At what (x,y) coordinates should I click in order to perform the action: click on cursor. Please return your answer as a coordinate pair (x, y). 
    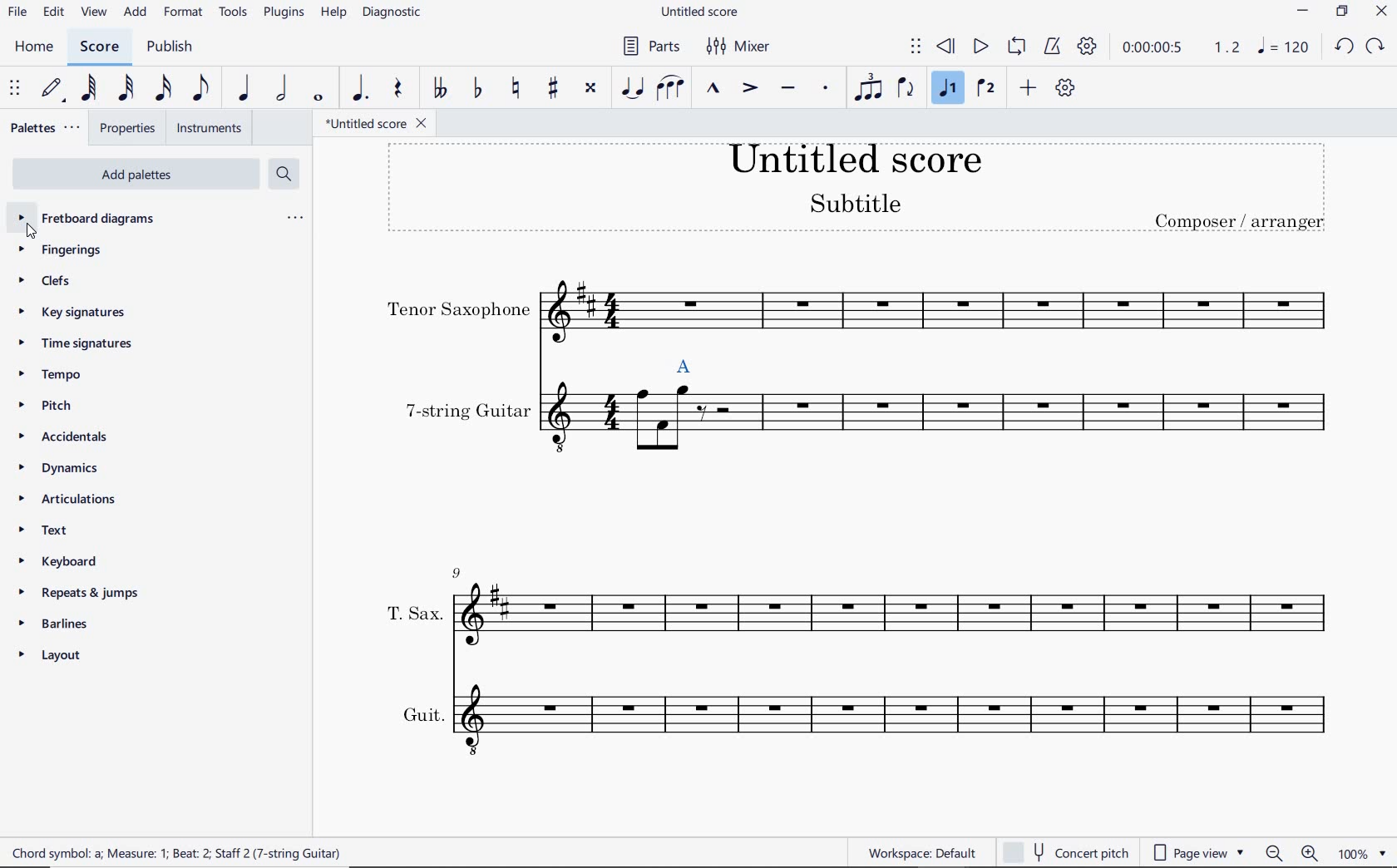
    Looking at the image, I should click on (27, 230).